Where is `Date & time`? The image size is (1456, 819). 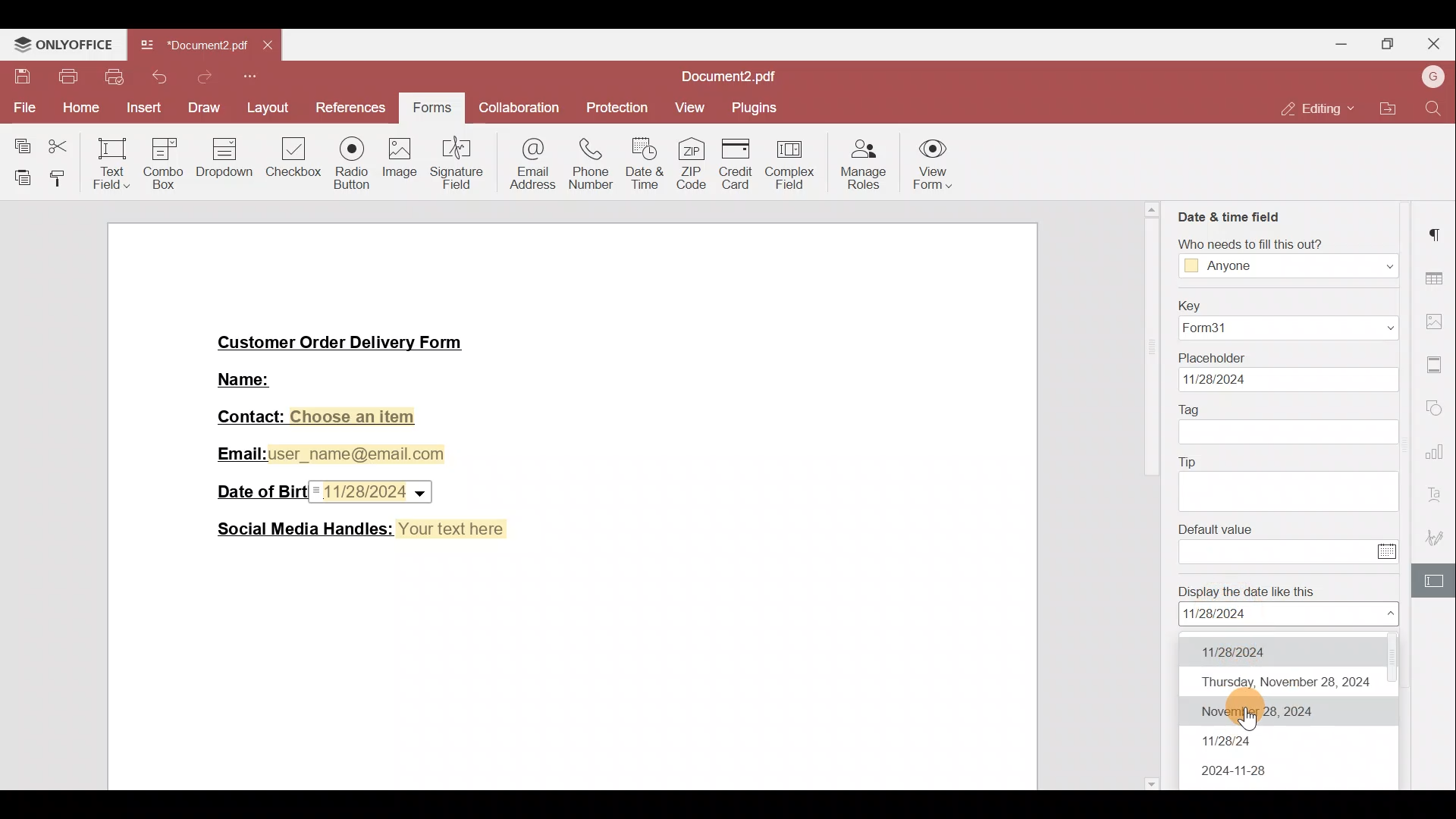 Date & time is located at coordinates (645, 164).